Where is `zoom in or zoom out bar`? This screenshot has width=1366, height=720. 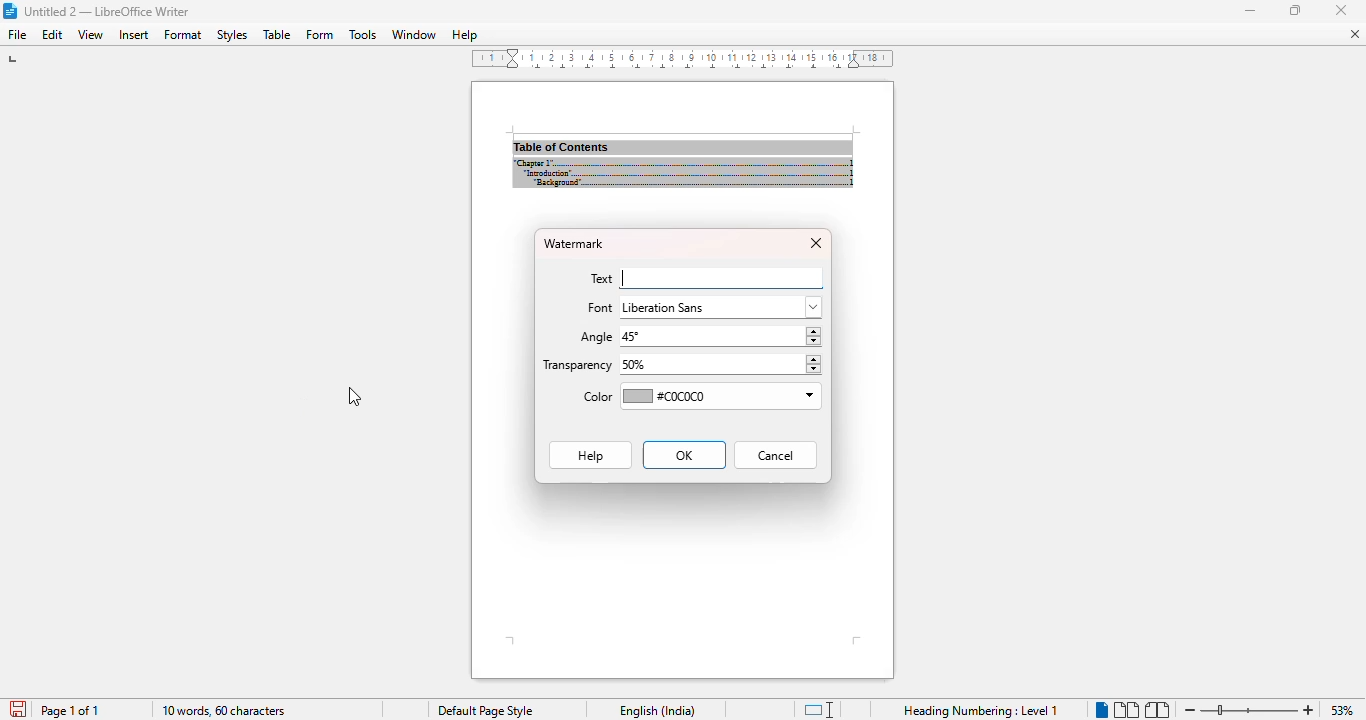 zoom in or zoom out bar is located at coordinates (1250, 709).